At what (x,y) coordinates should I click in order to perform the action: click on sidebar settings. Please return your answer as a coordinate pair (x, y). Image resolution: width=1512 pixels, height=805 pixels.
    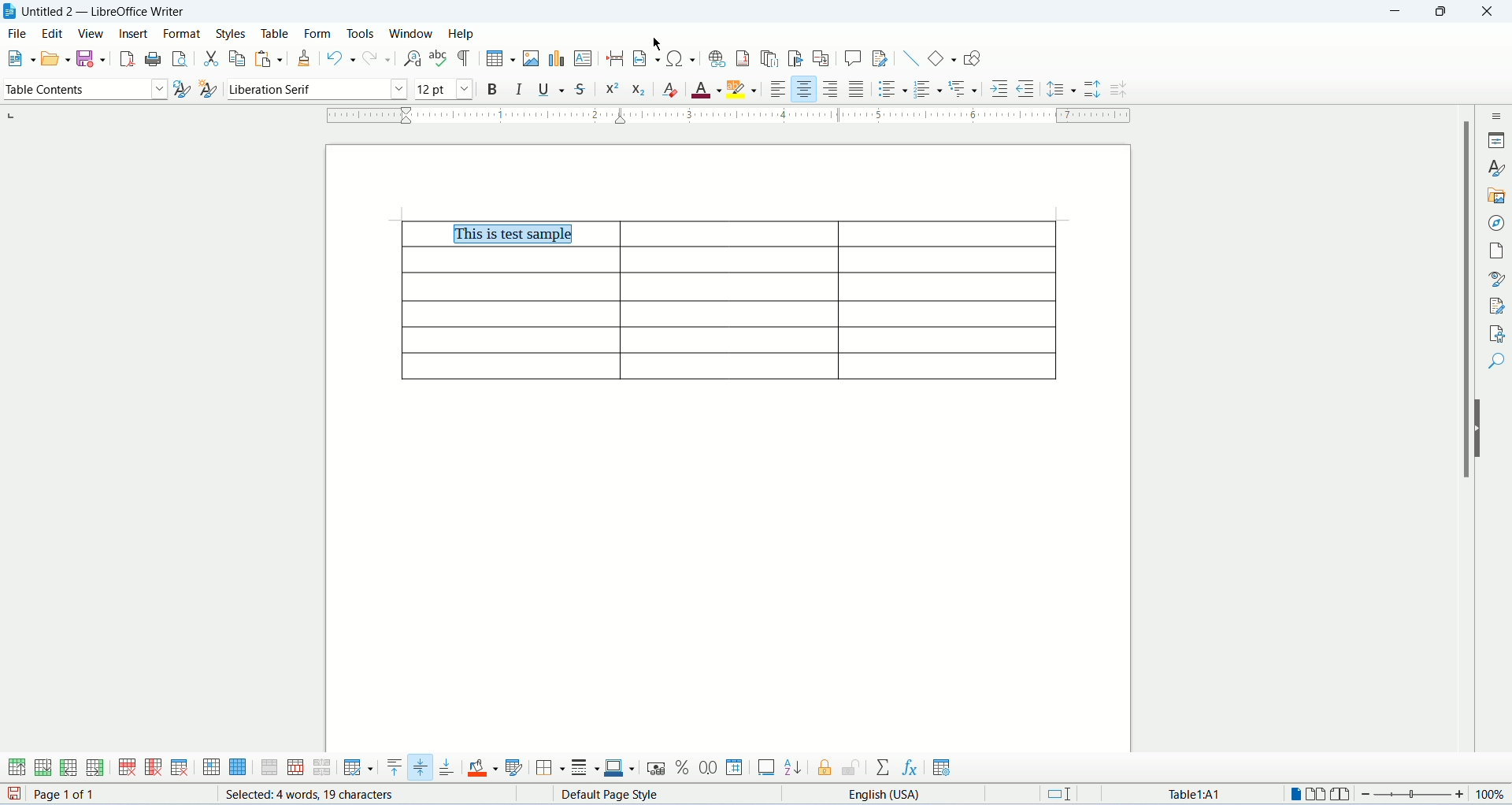
    Looking at the image, I should click on (1495, 114).